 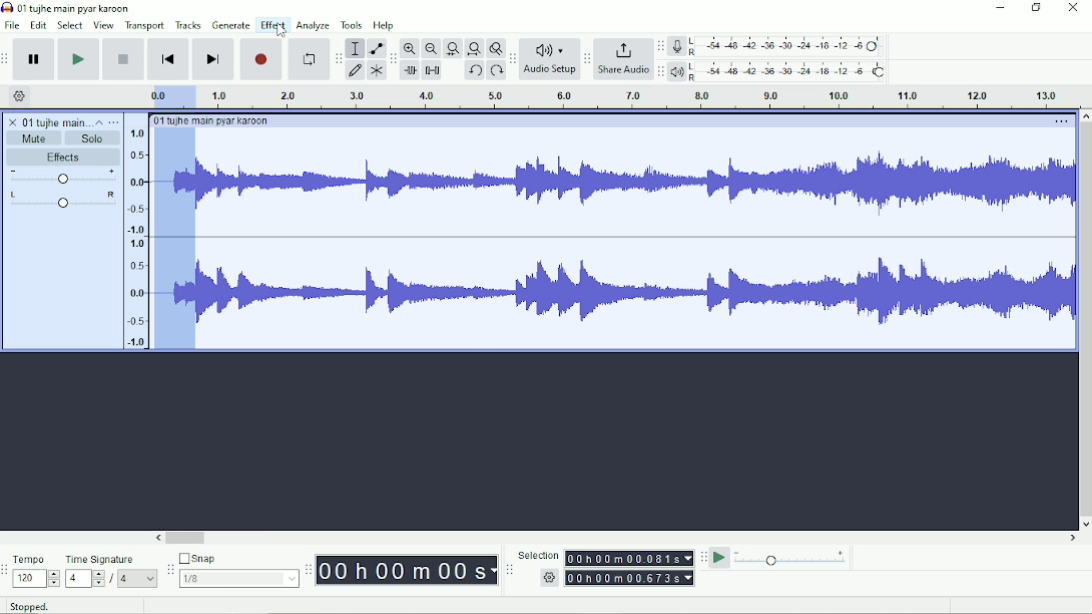 I want to click on Silence audio selection, so click(x=432, y=70).